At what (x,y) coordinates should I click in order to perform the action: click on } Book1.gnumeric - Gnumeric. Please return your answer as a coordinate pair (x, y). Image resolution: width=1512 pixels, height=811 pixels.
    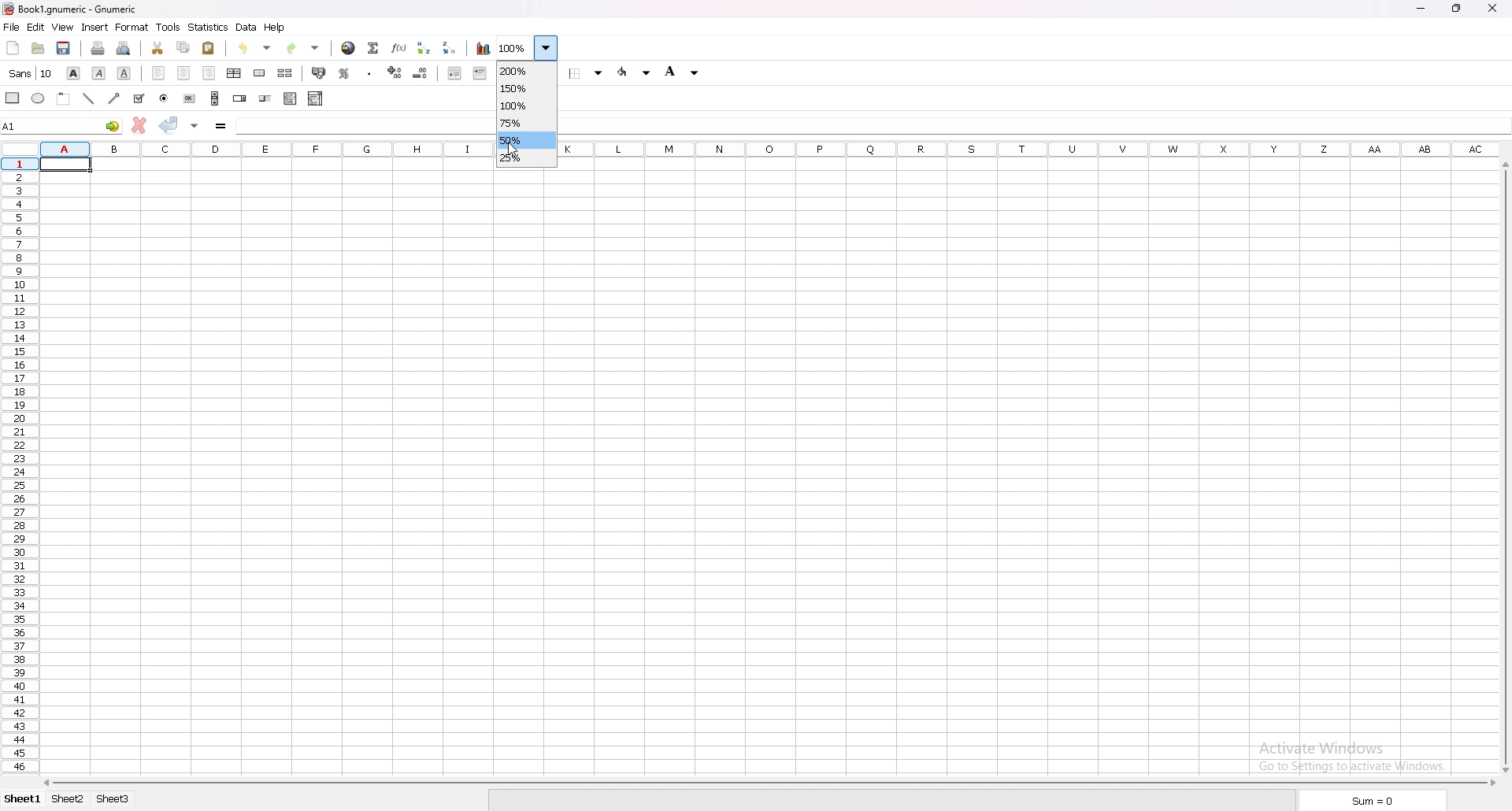
    Looking at the image, I should click on (77, 10).